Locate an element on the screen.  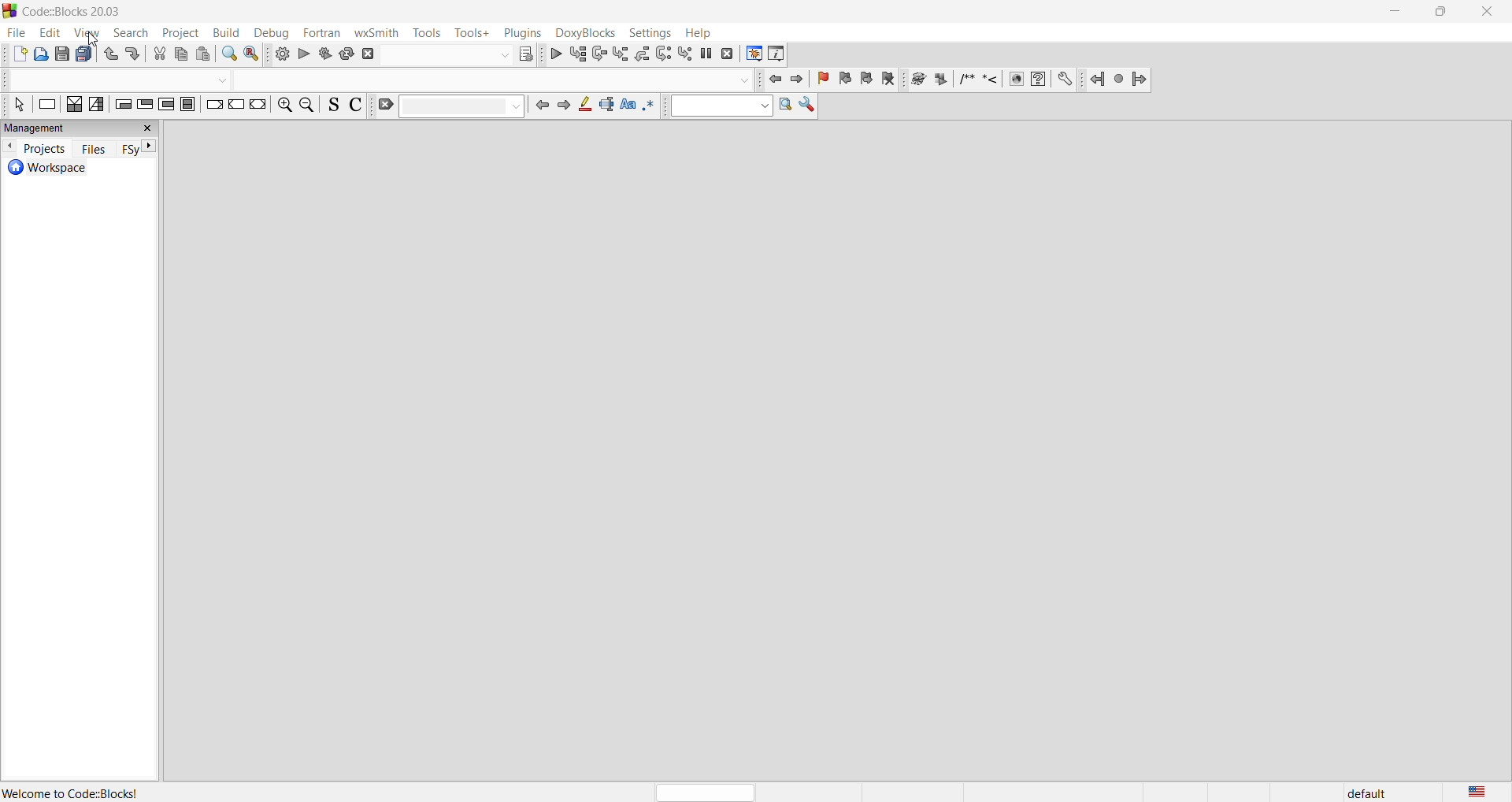
wxSmith is located at coordinates (380, 32).